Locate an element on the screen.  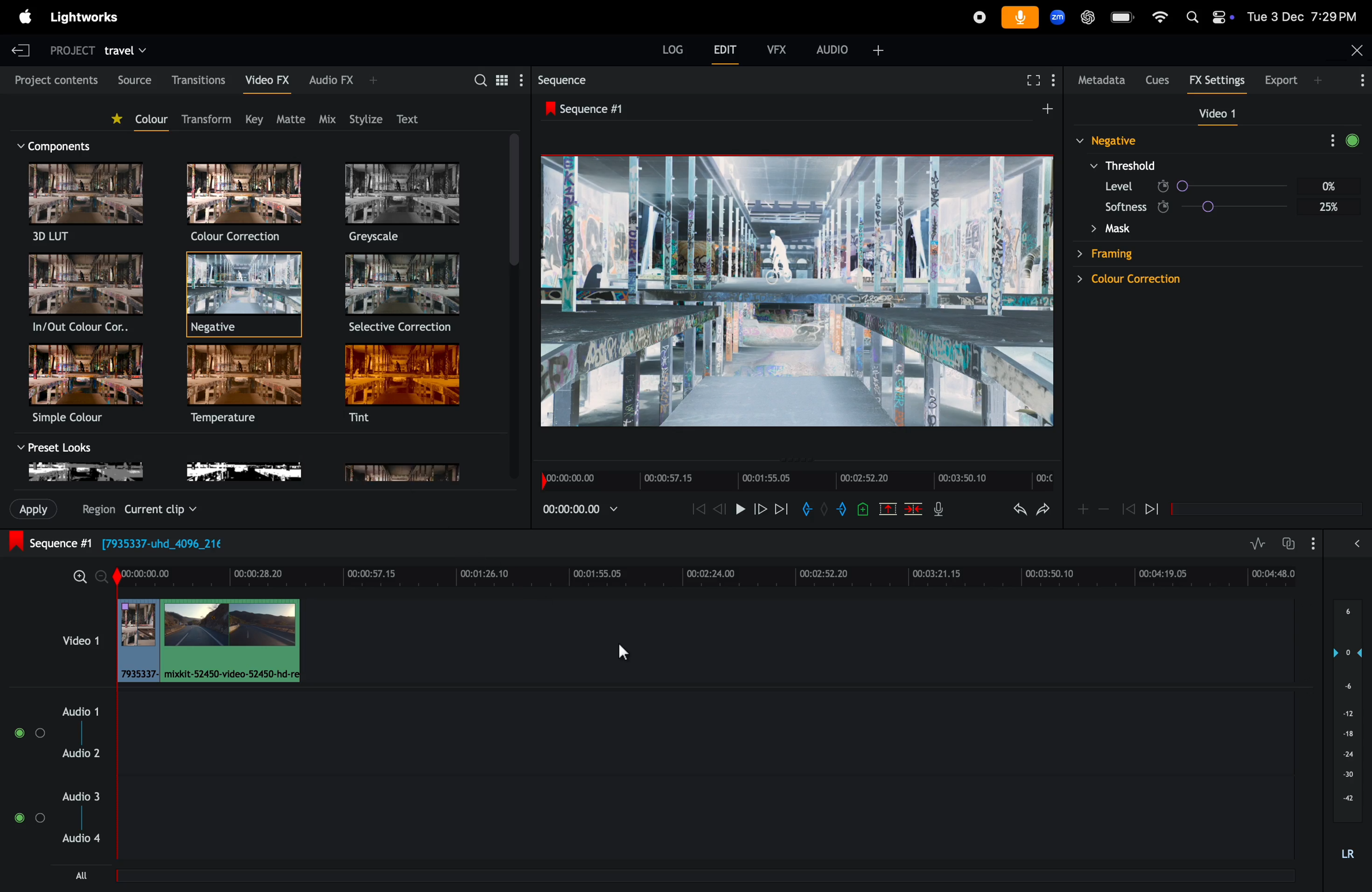
play back time is located at coordinates (578, 511).